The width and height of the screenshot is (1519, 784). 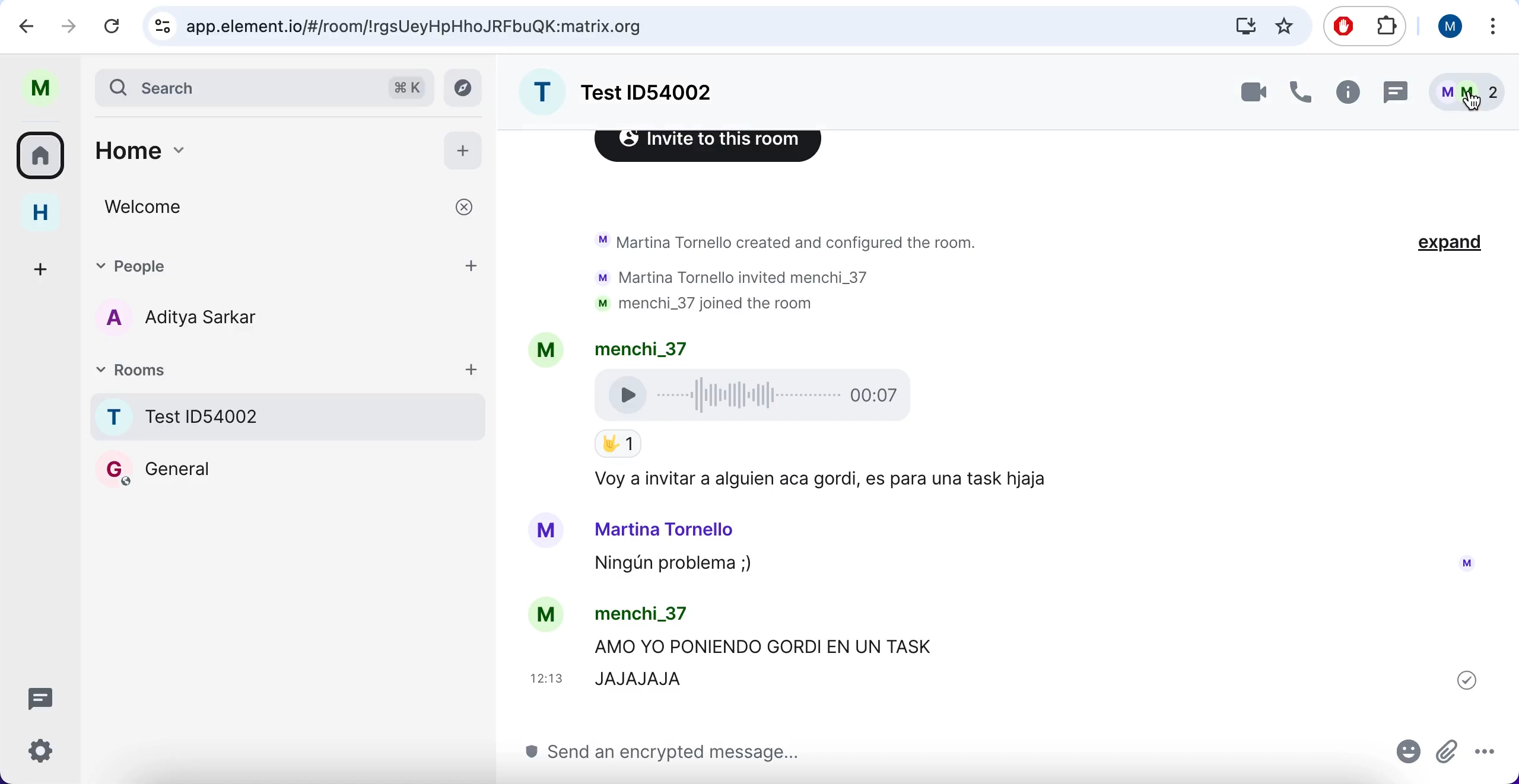 I want to click on Voy a Invitar a alguien aca gordi, es para una
task hjaja, so click(x=836, y=477).